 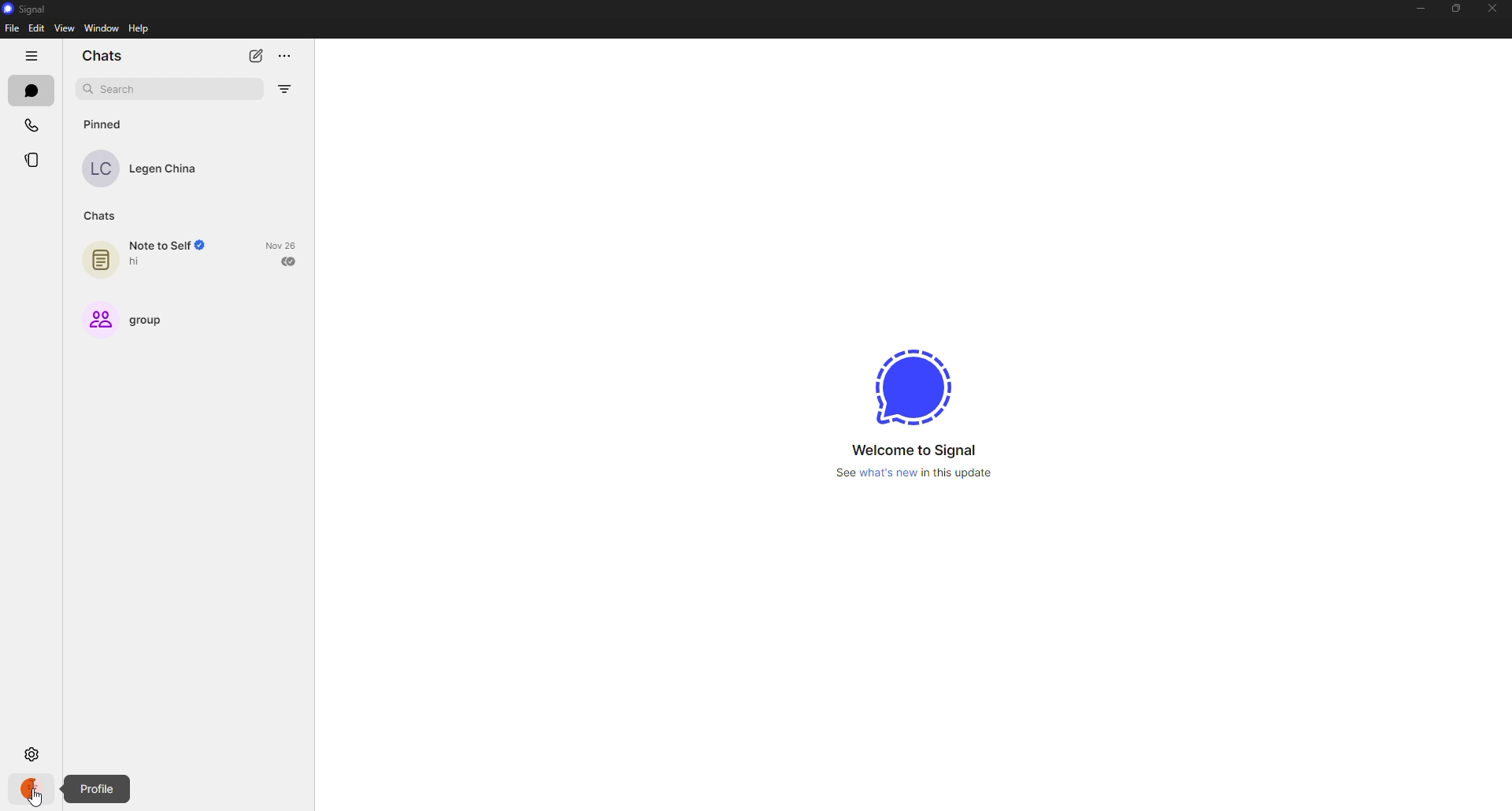 What do you see at coordinates (1492, 7) in the screenshot?
I see `close` at bounding box center [1492, 7].